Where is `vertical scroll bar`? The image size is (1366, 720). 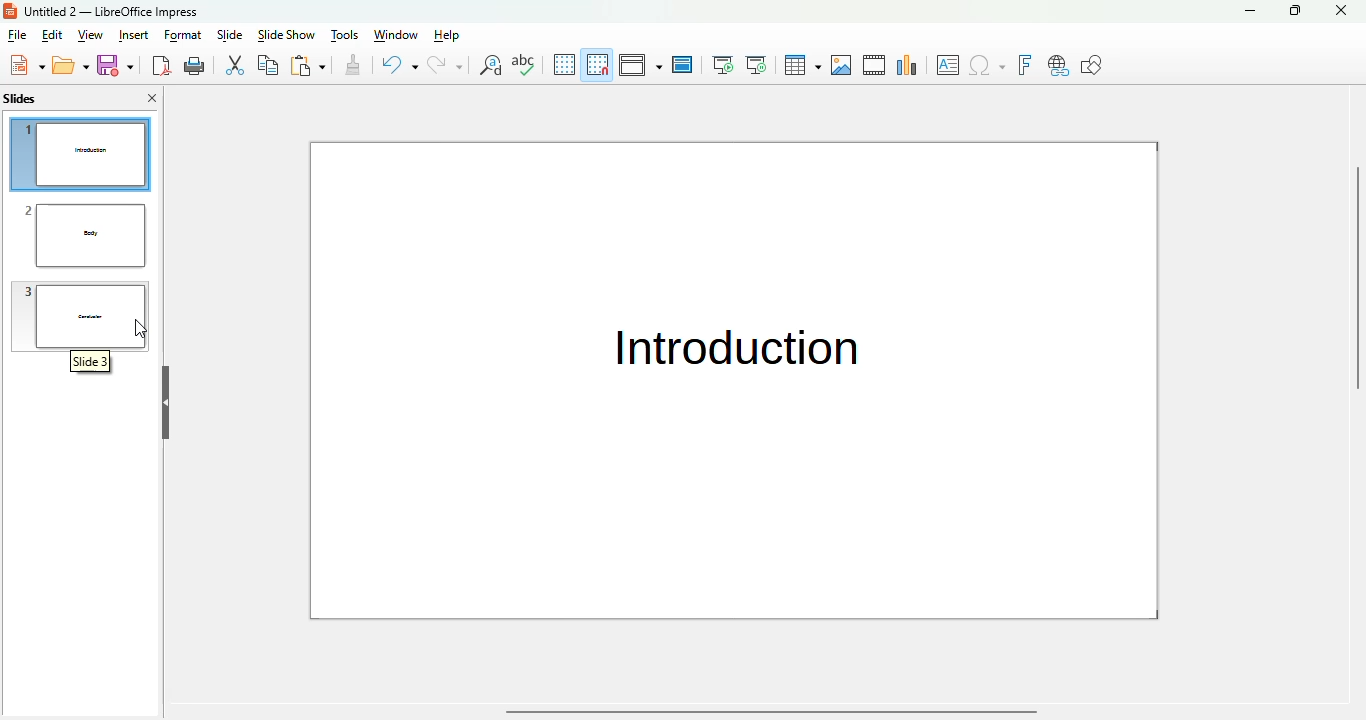
vertical scroll bar is located at coordinates (1354, 338).